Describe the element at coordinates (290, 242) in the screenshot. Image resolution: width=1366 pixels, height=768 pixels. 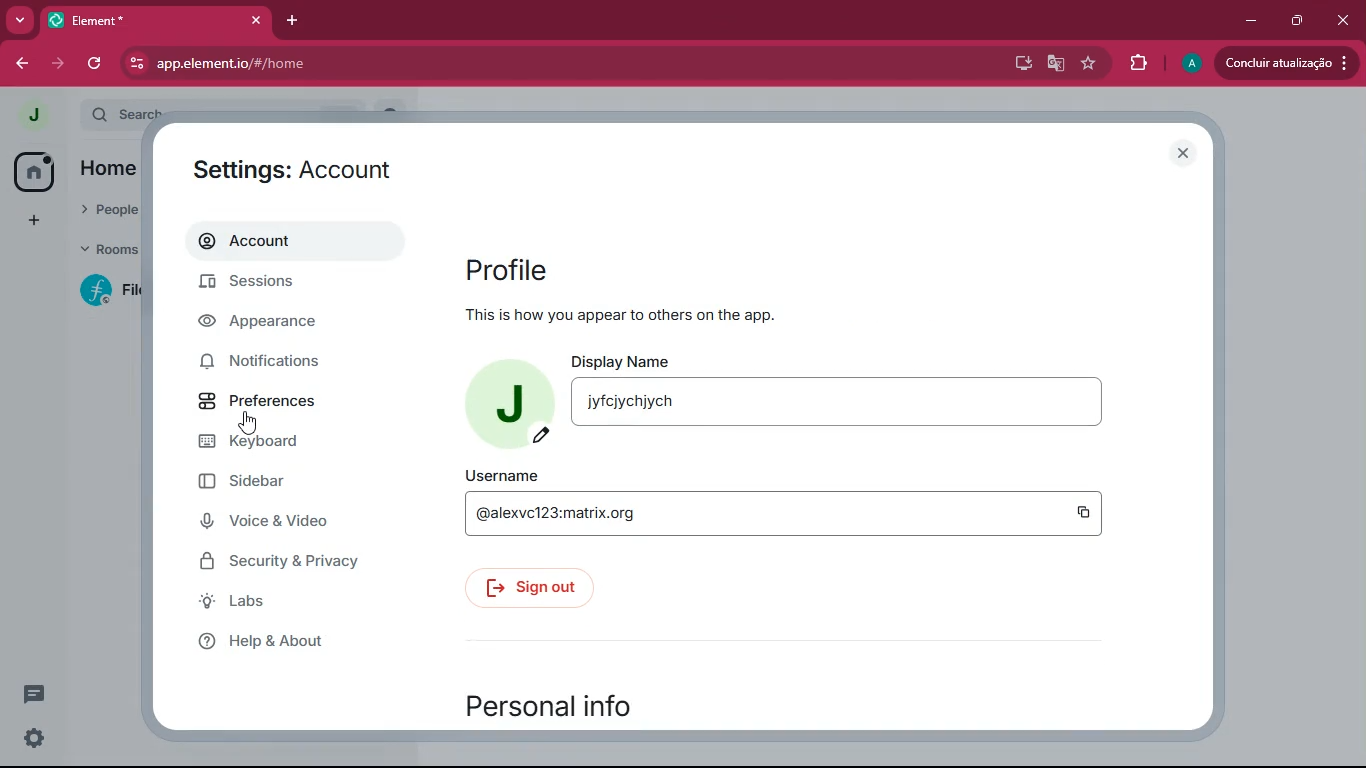
I see `account` at that location.